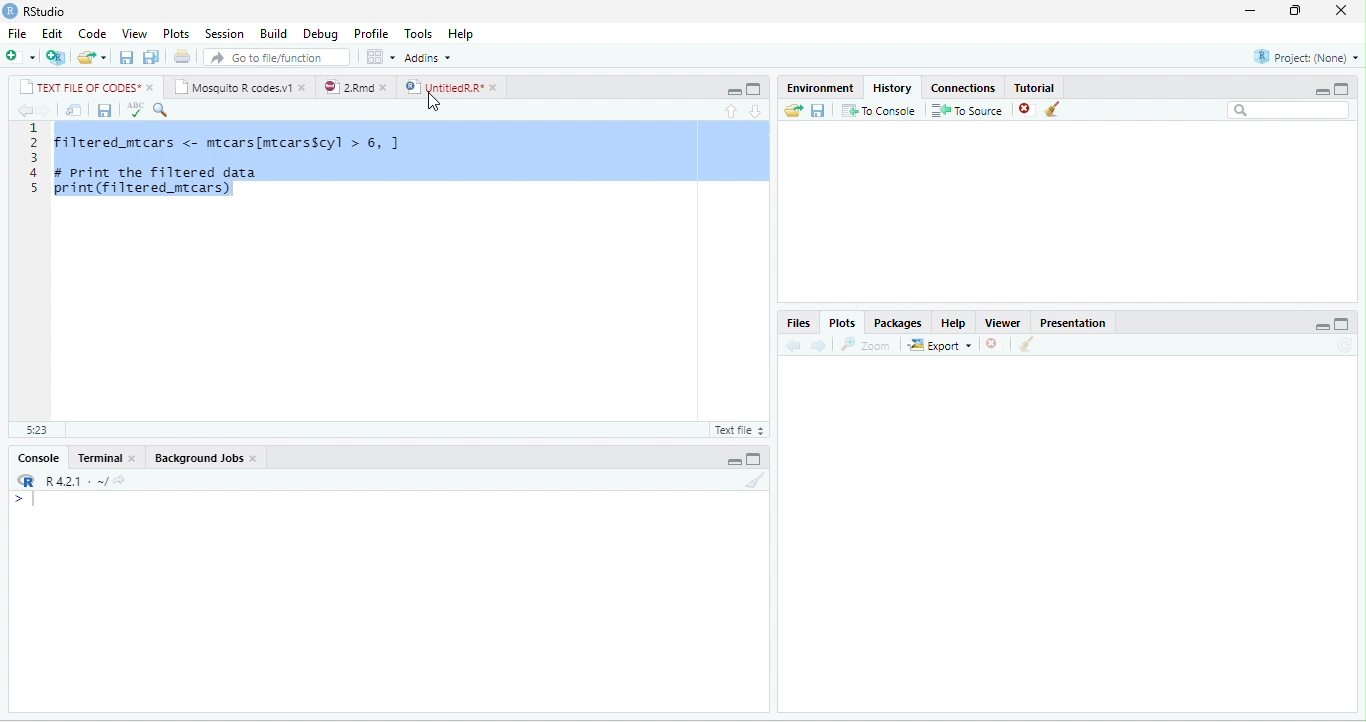 This screenshot has height=722, width=1366. I want to click on search, so click(160, 110).